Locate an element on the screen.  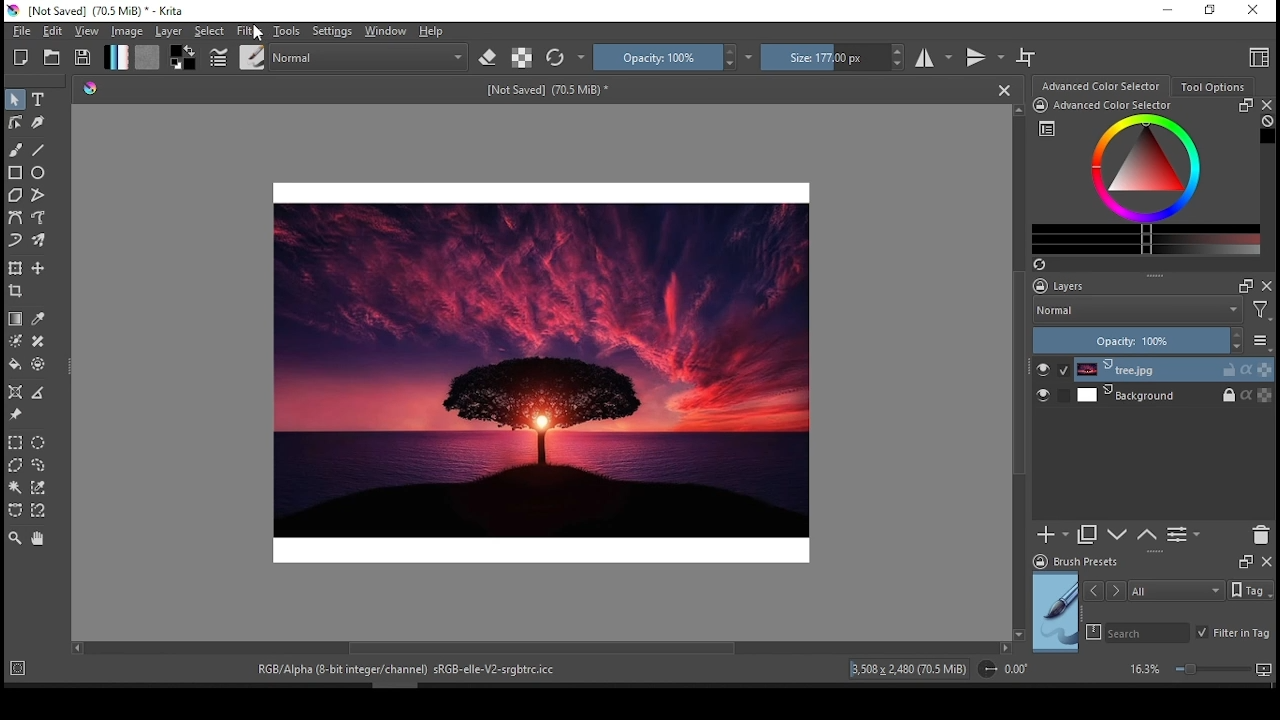
blend mode is located at coordinates (1154, 310).